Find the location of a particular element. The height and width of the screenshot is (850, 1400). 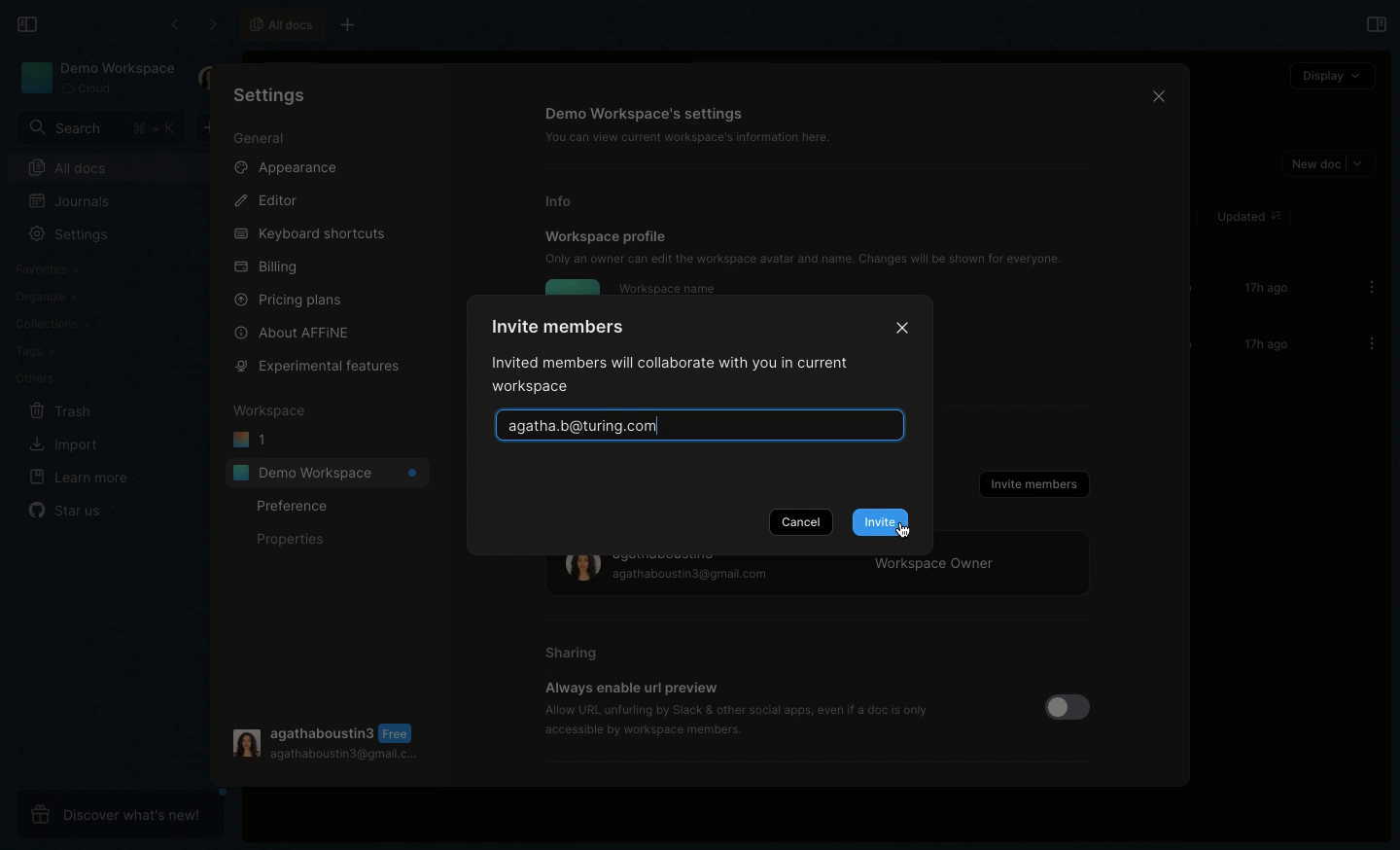

cursor is located at coordinates (914, 529).